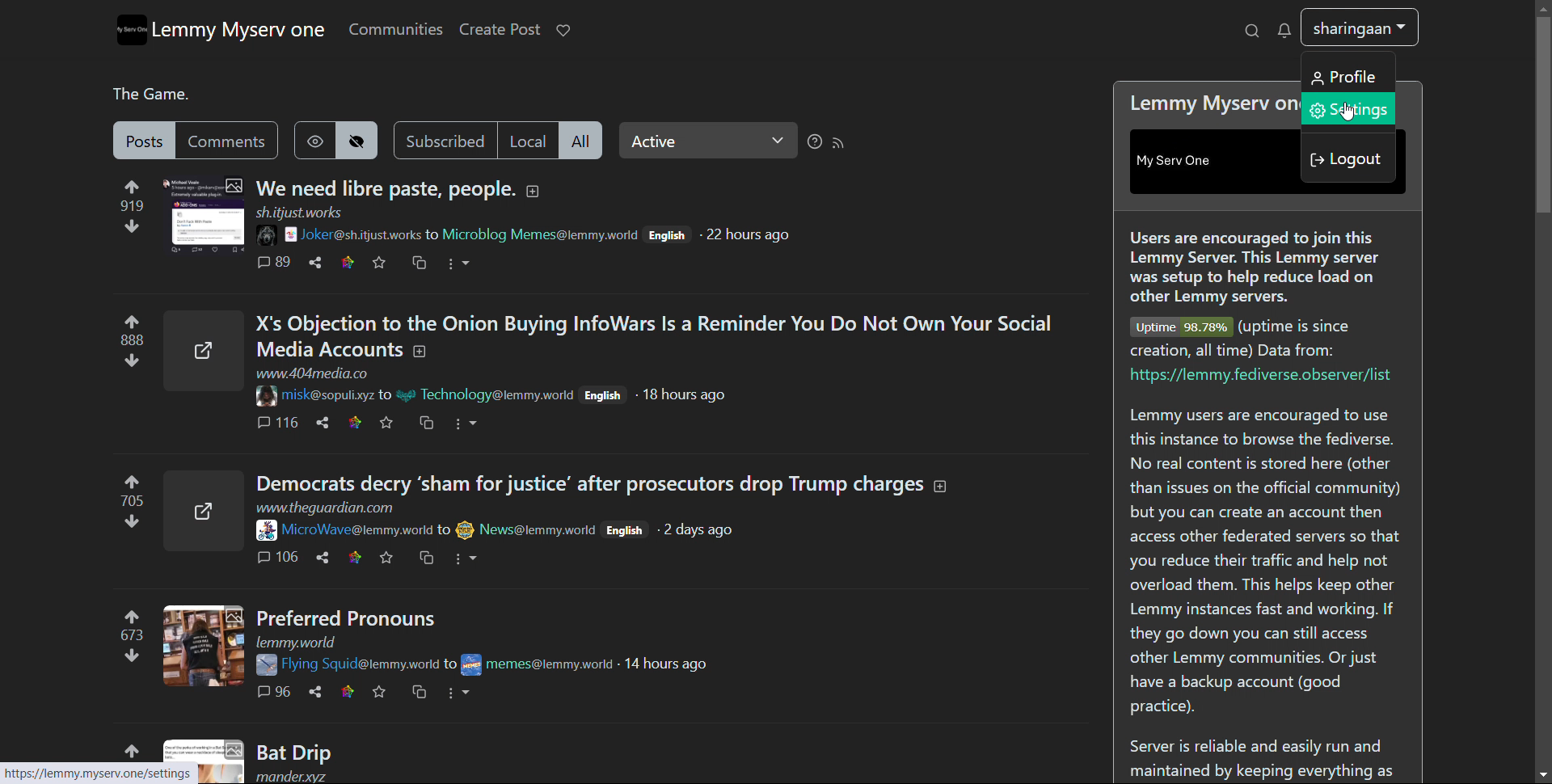 This screenshot has height=784, width=1552. What do you see at coordinates (86, 773) in the screenshot?
I see `URL` at bounding box center [86, 773].